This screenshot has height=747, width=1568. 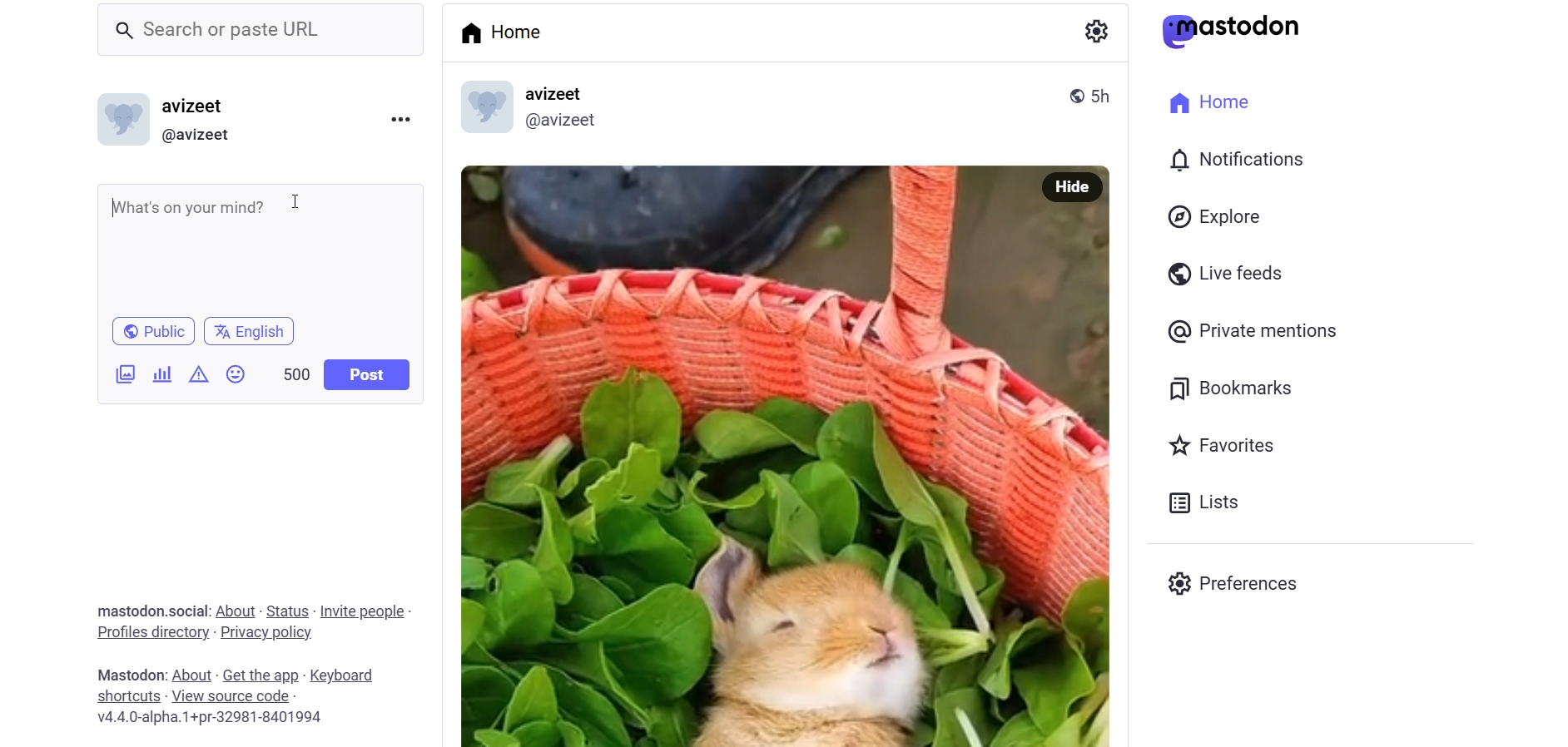 What do you see at coordinates (345, 675) in the screenshot?
I see `keyboard` at bounding box center [345, 675].